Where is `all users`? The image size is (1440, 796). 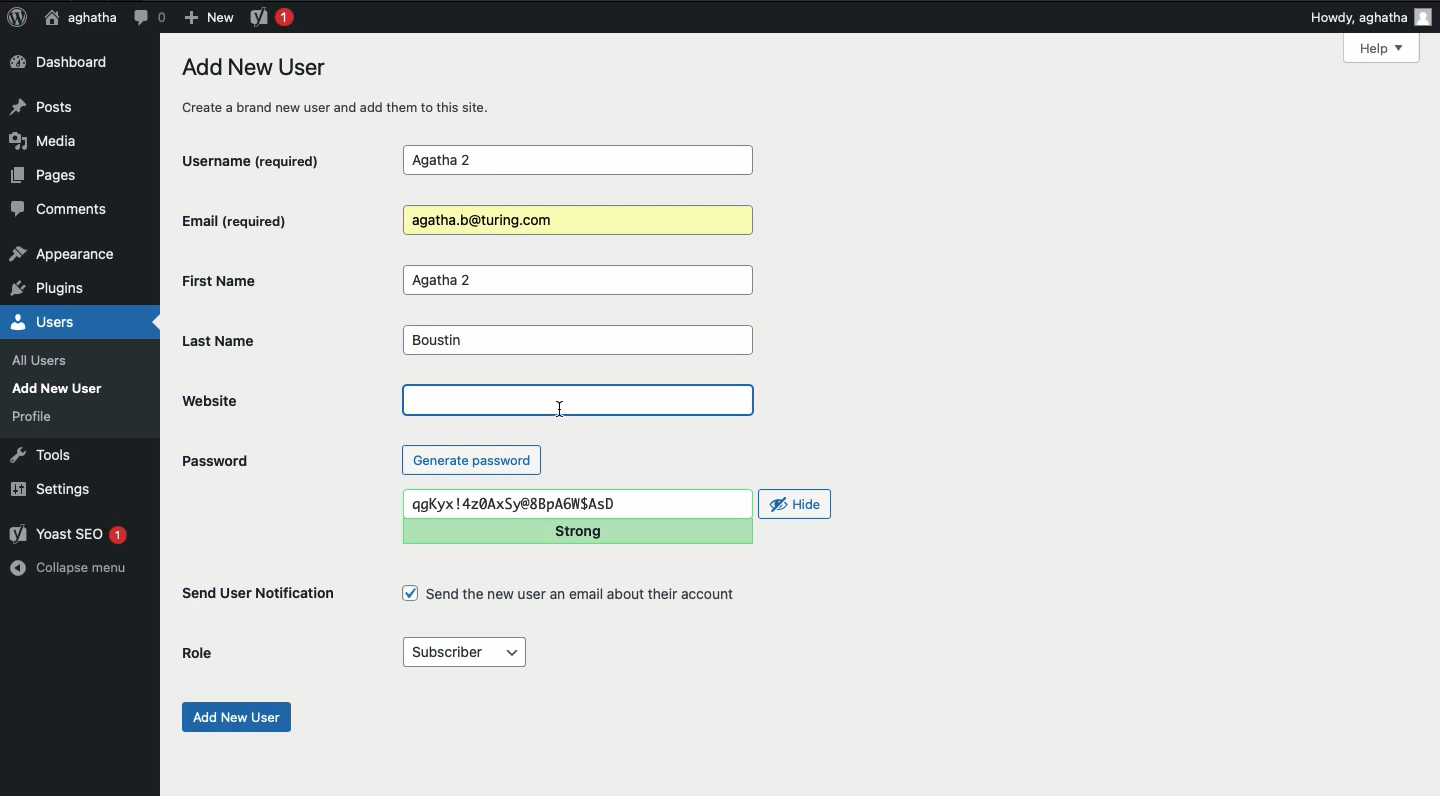
all users is located at coordinates (45, 361).